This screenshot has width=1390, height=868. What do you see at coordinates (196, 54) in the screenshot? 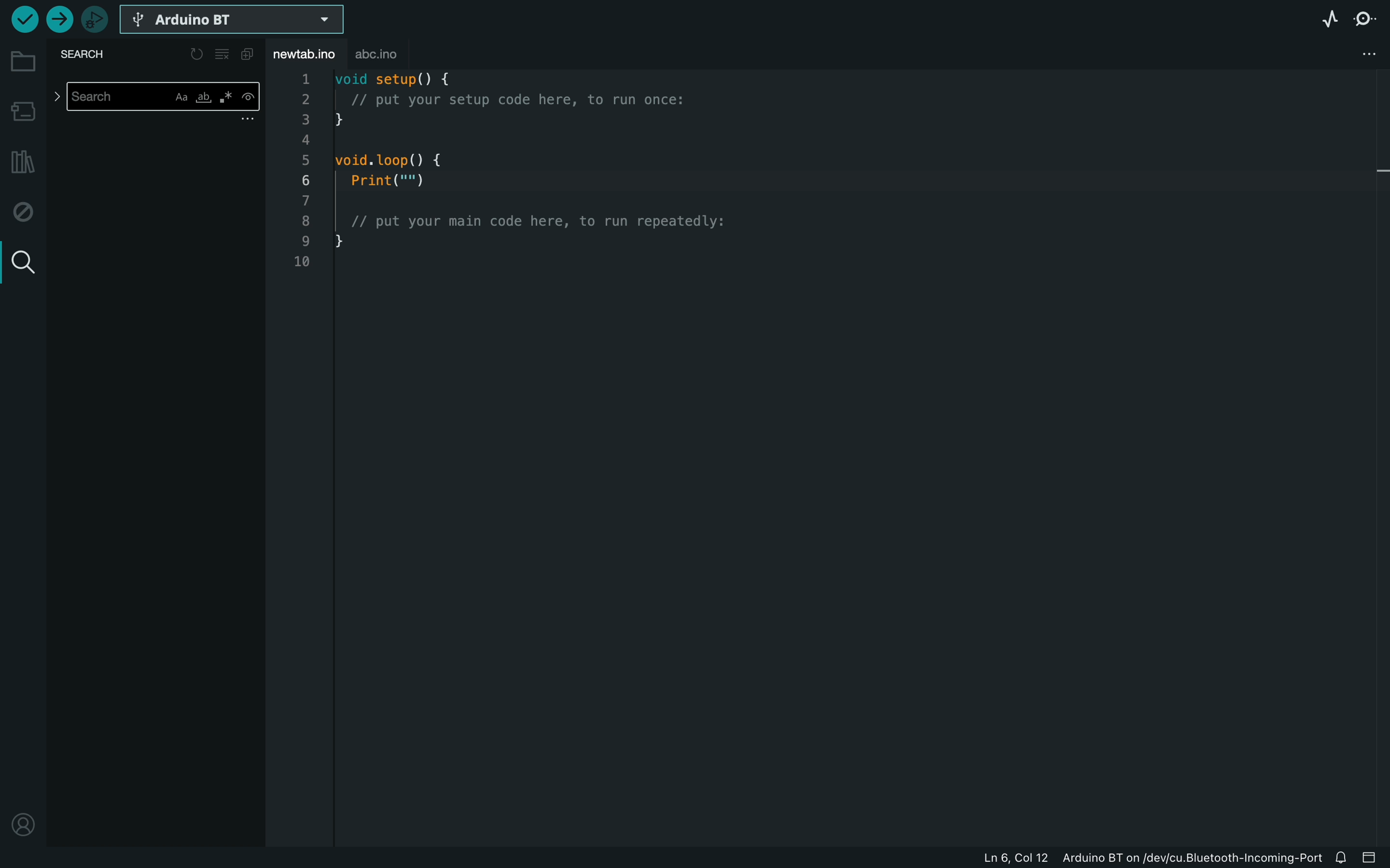
I see `reload` at bounding box center [196, 54].